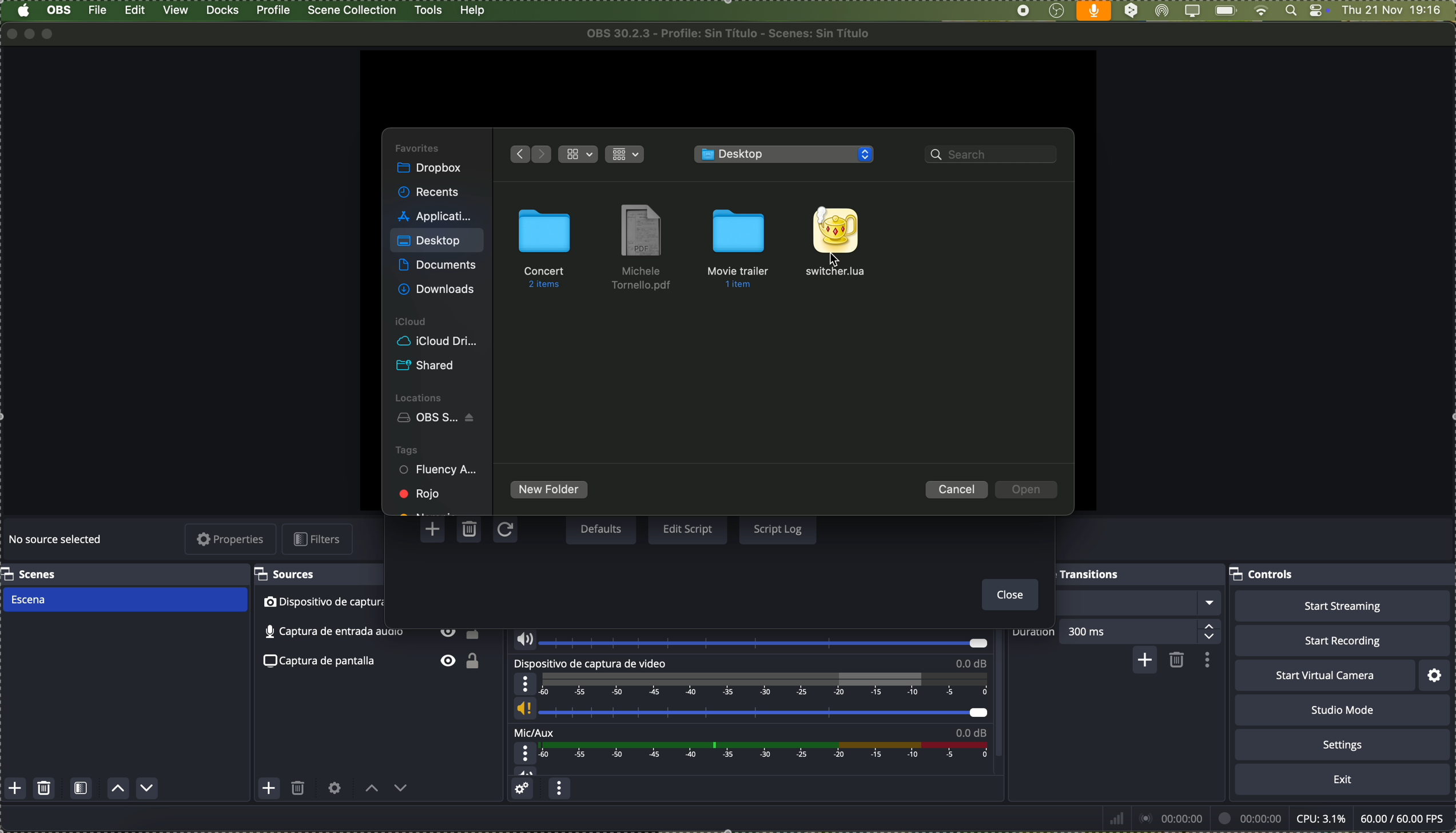  Describe the element at coordinates (320, 539) in the screenshot. I see `filters` at that location.